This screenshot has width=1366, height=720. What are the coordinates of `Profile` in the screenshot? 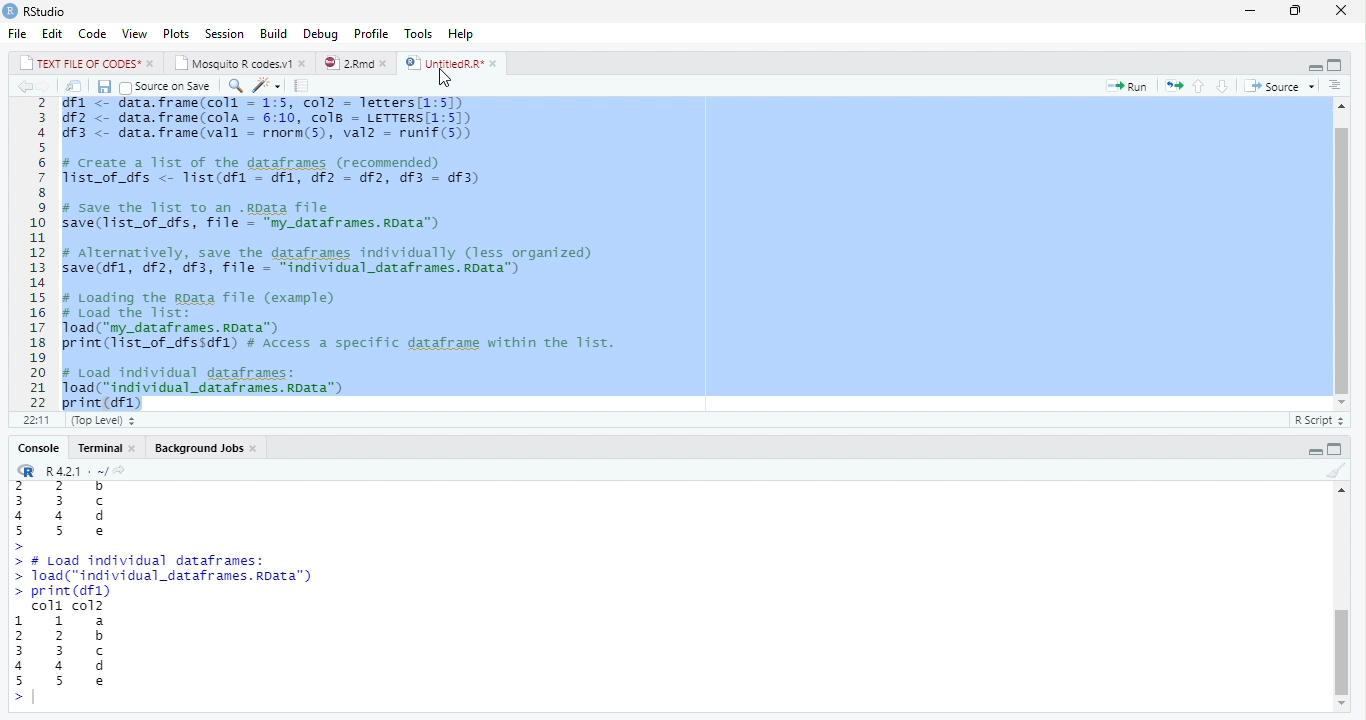 It's located at (372, 33).